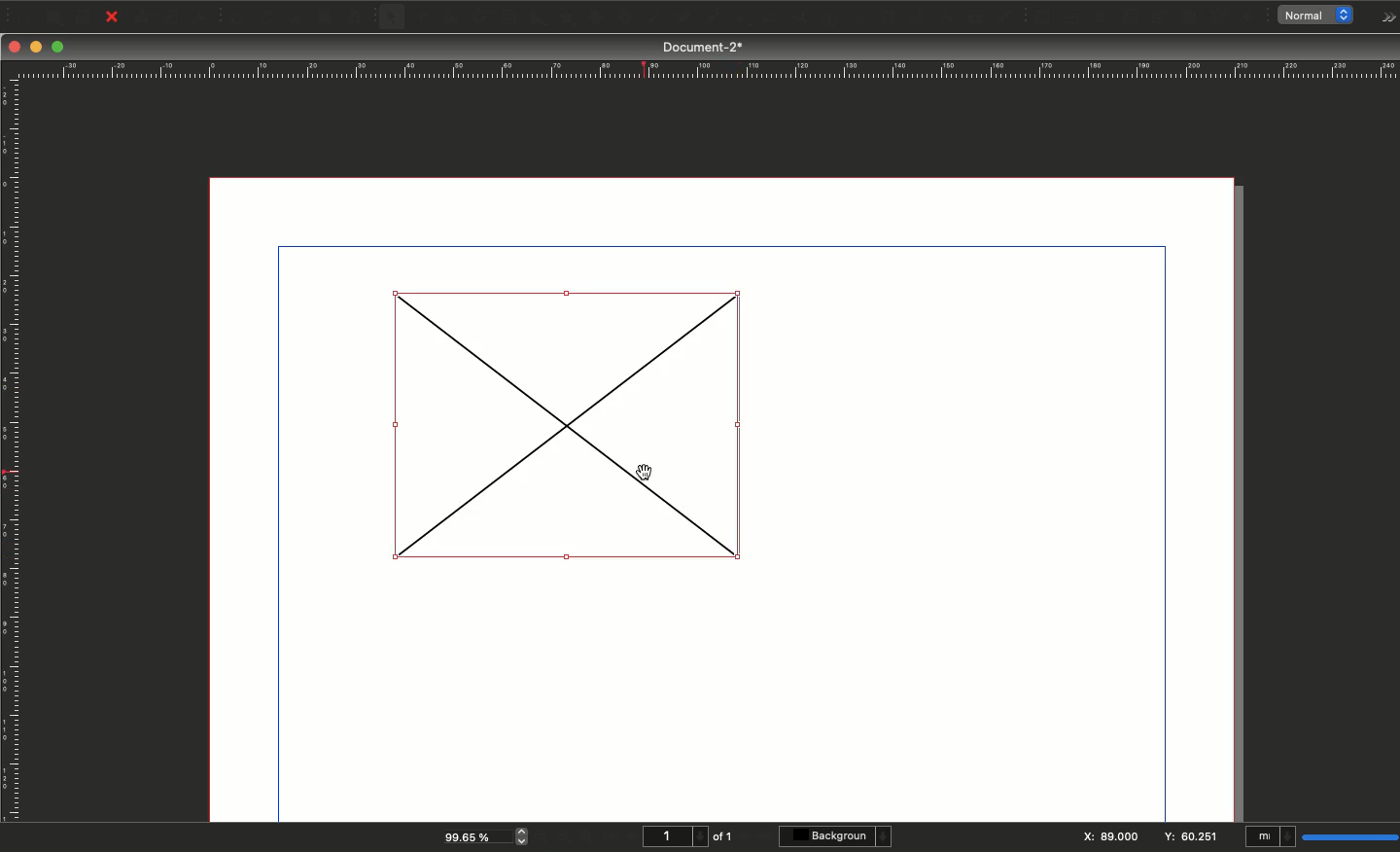  Describe the element at coordinates (880, 17) in the screenshot. I see `Link text frames` at that location.